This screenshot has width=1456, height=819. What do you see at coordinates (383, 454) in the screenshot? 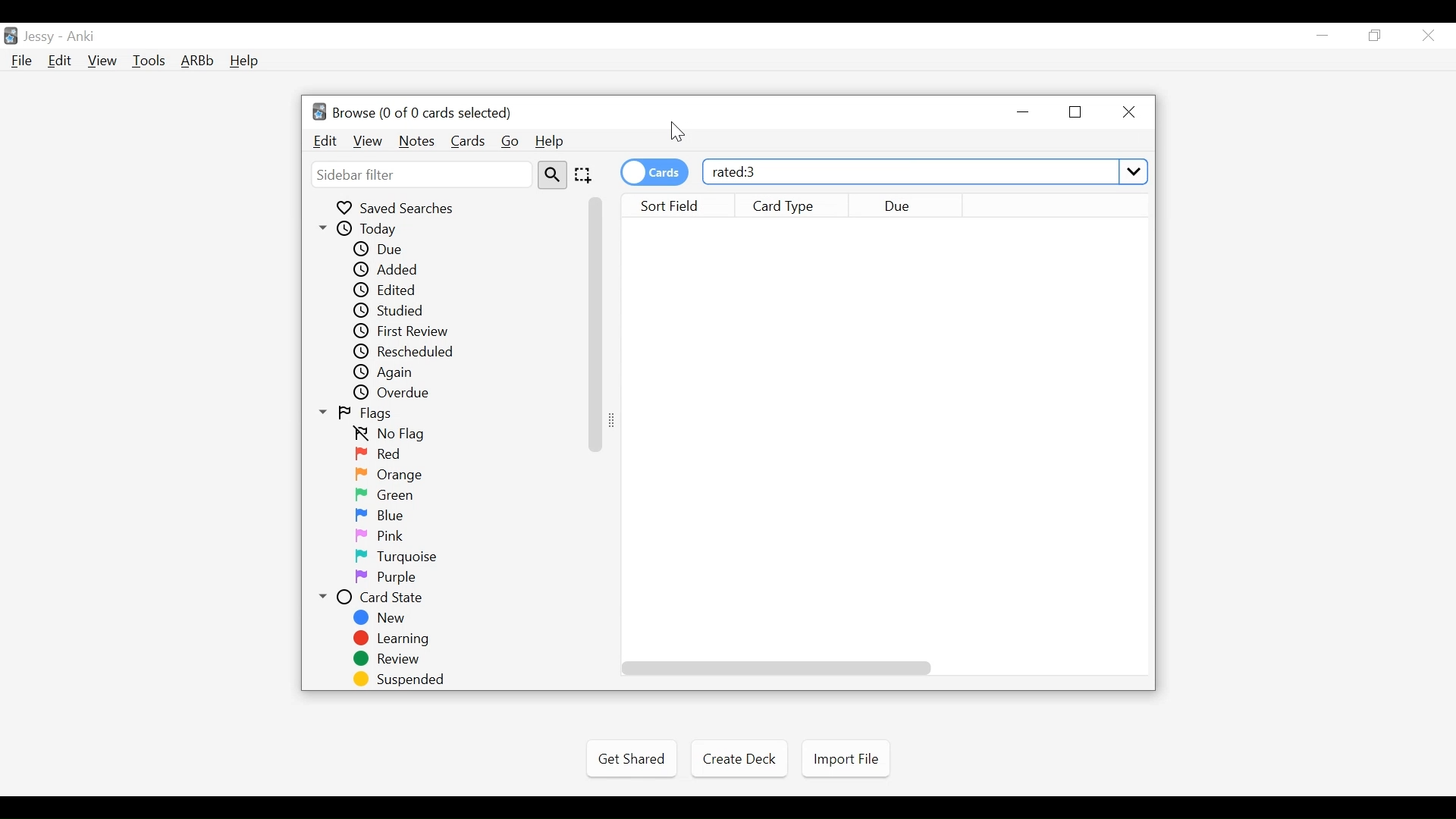
I see `Red` at bounding box center [383, 454].